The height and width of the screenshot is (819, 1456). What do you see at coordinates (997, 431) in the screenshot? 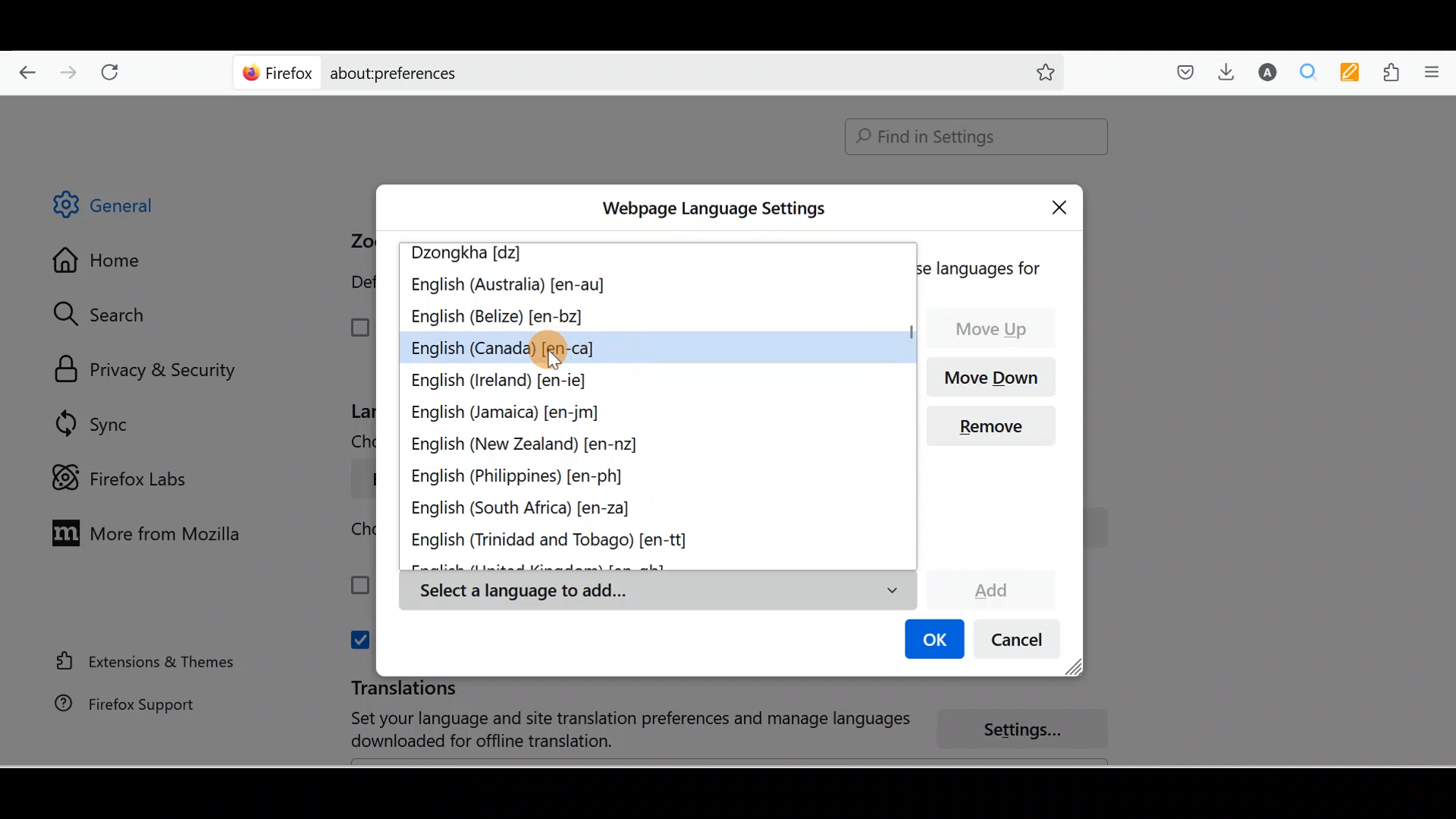
I see `Remove` at bounding box center [997, 431].